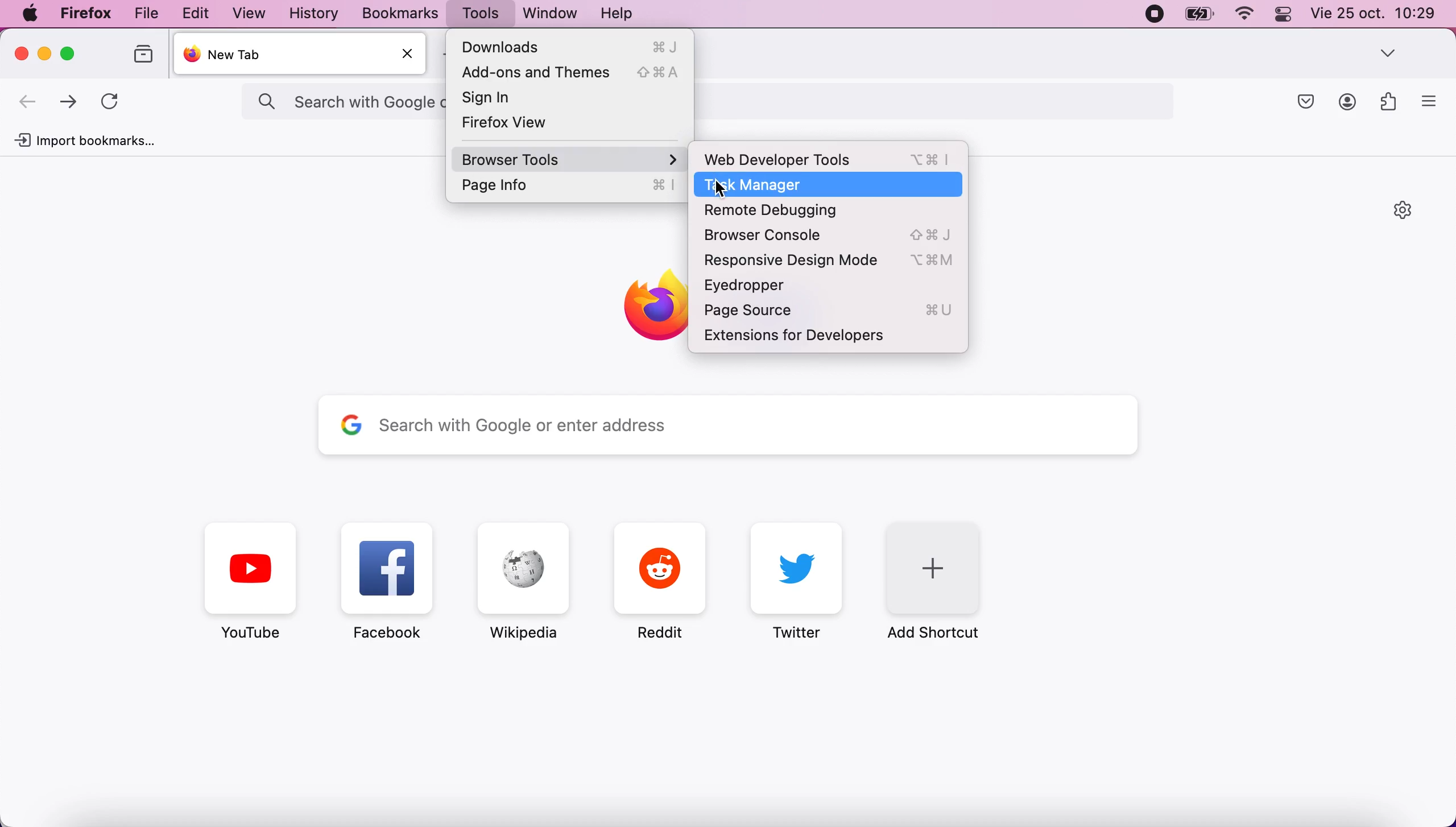 This screenshot has height=827, width=1456. I want to click on Firefox symbol, so click(643, 312).